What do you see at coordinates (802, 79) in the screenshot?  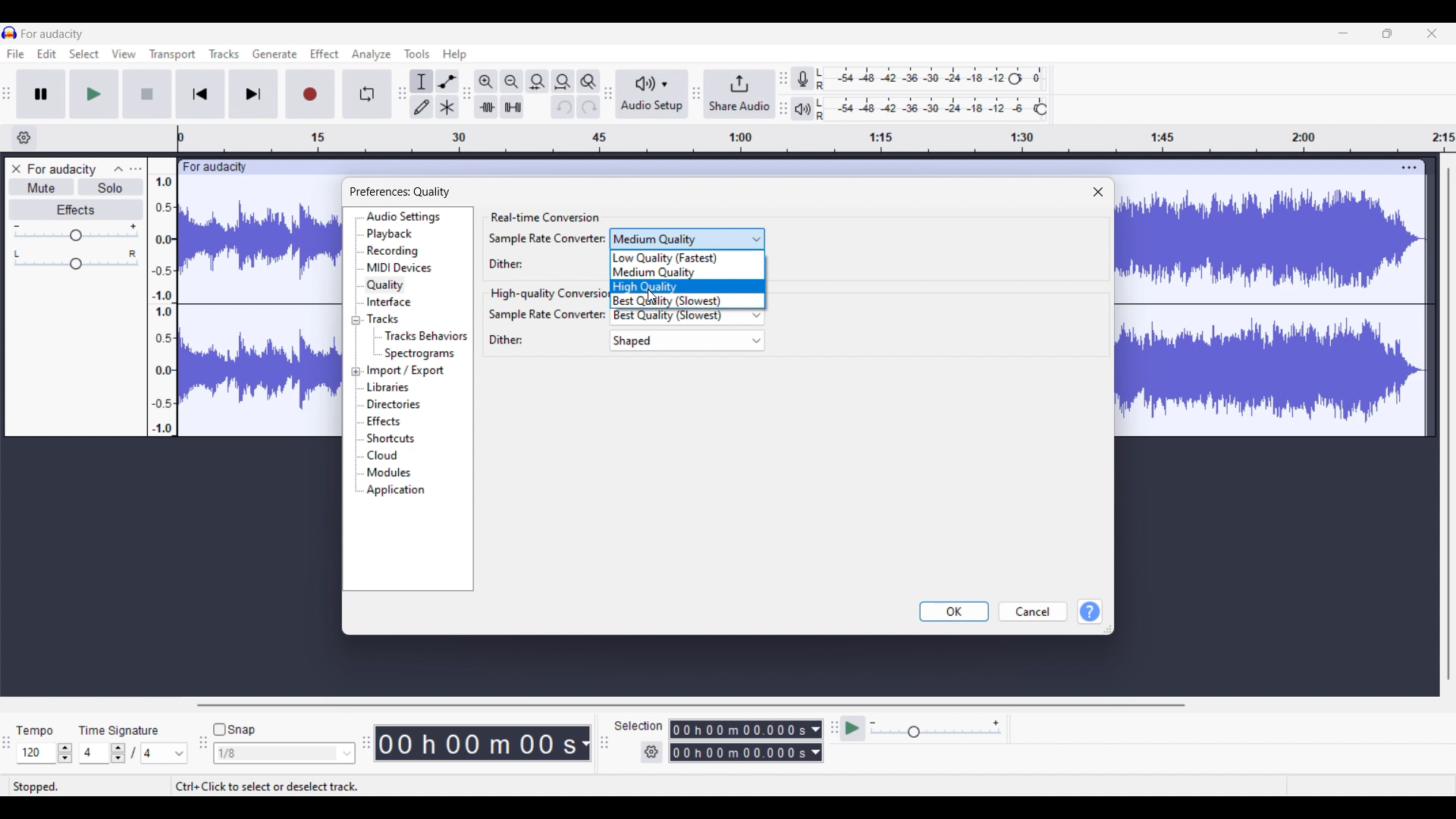 I see `Record meter` at bounding box center [802, 79].